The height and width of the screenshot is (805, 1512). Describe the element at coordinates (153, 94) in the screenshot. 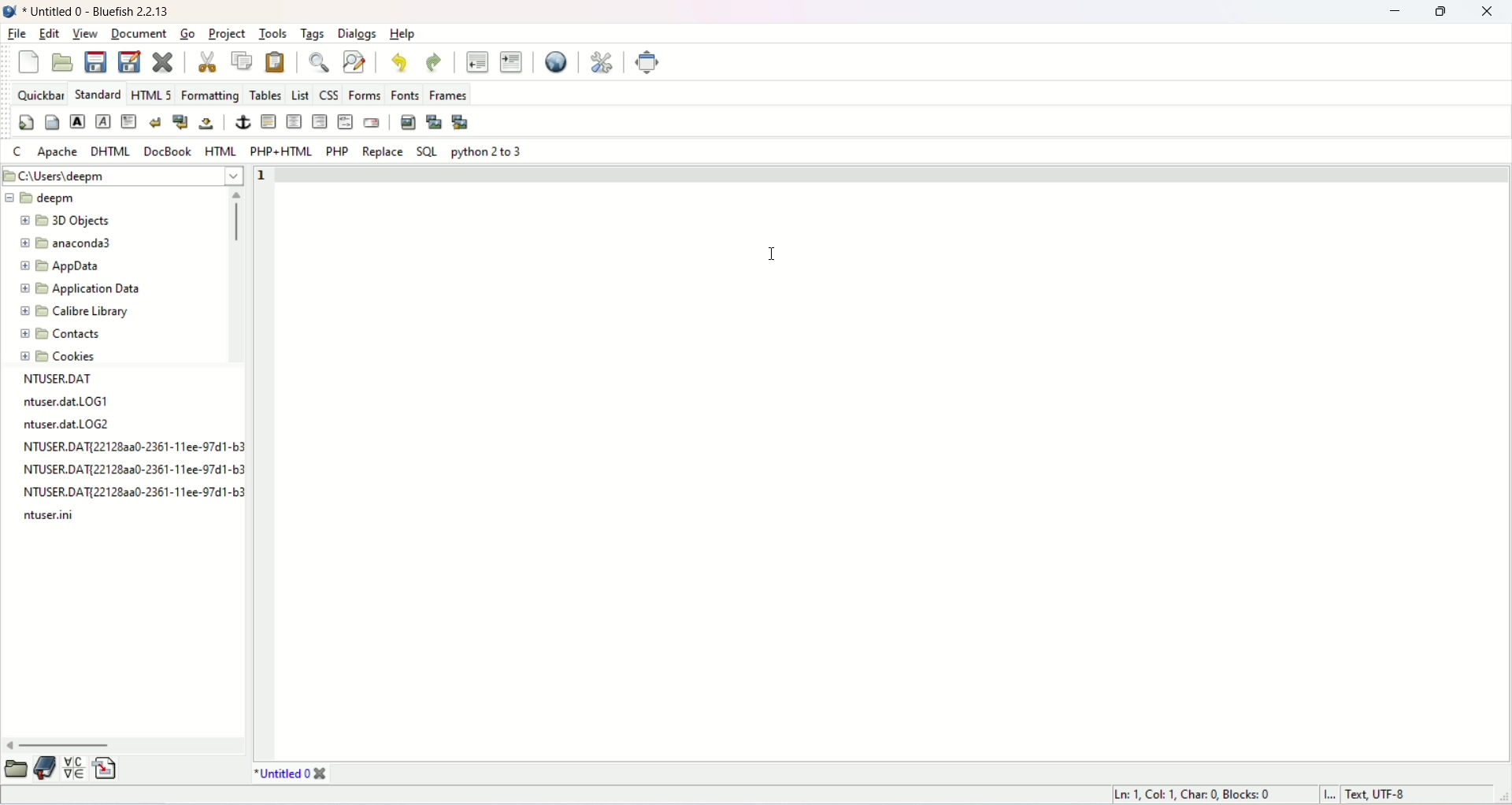

I see `HTML 5` at that location.